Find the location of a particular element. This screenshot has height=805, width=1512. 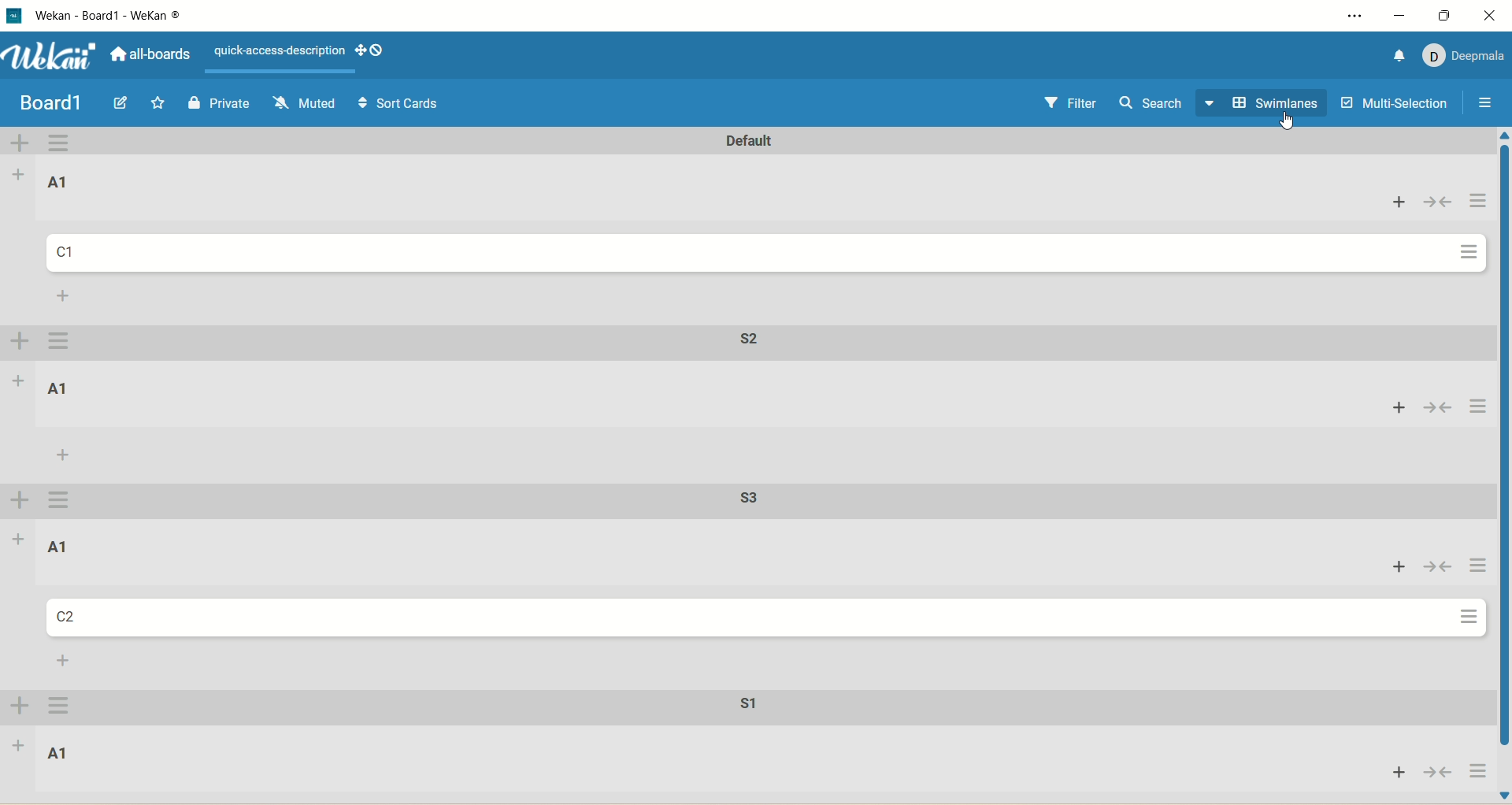

add is located at coordinates (17, 539).